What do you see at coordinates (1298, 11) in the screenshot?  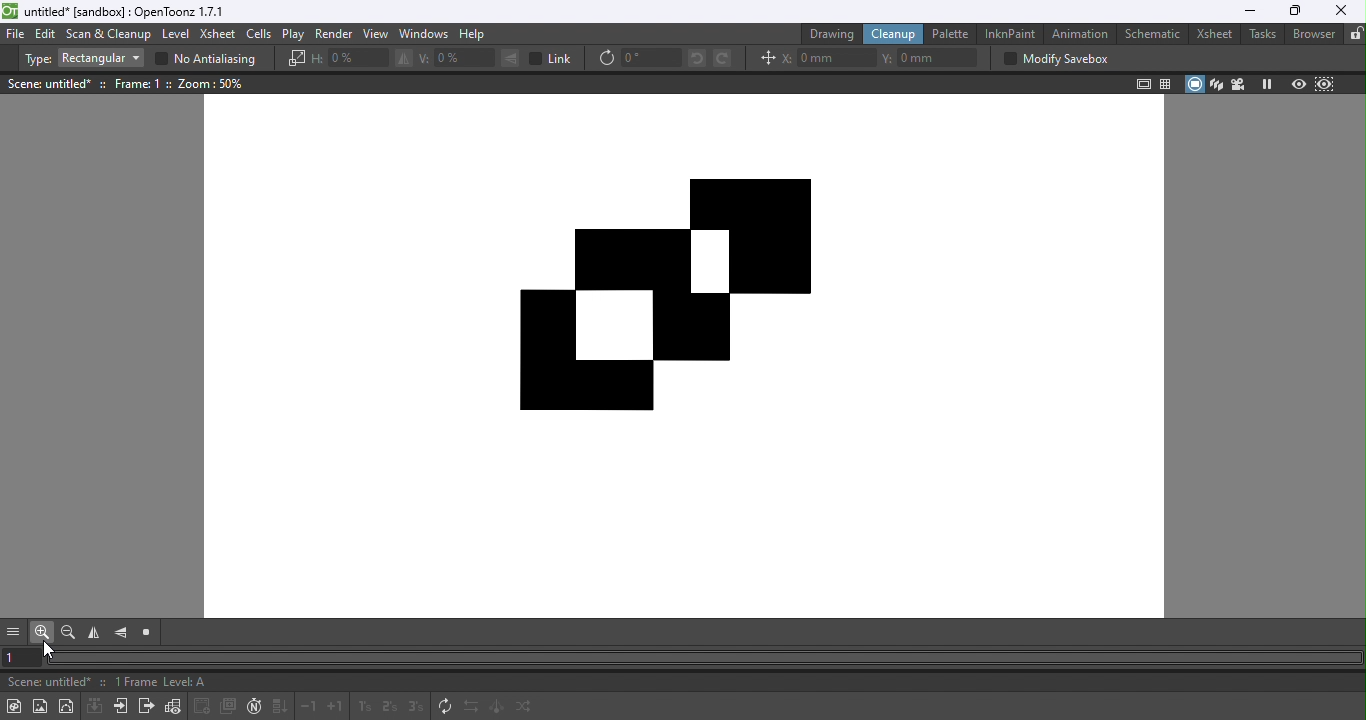 I see `Maximize` at bounding box center [1298, 11].